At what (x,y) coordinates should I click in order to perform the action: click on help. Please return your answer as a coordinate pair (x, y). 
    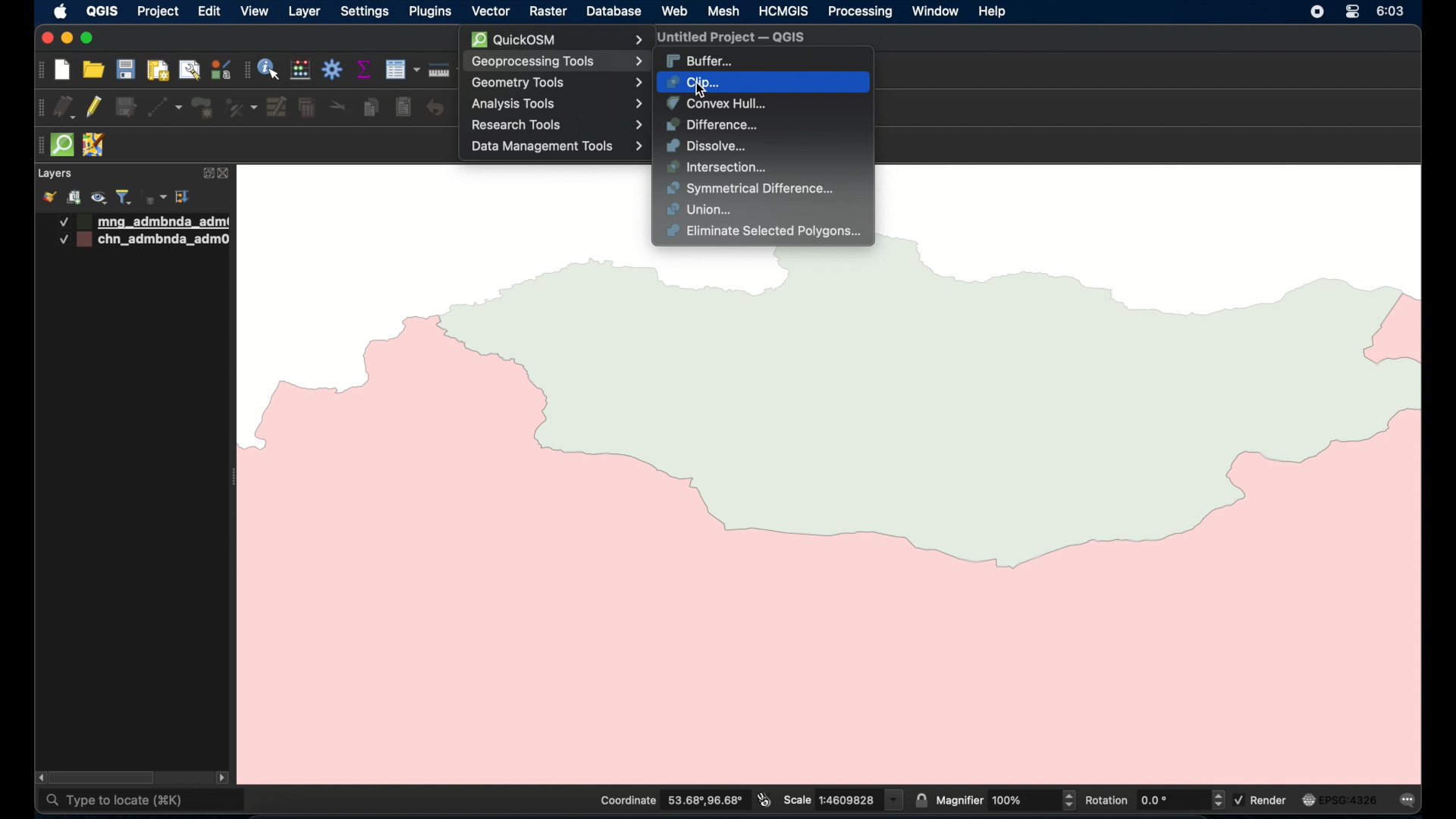
    Looking at the image, I should click on (993, 12).